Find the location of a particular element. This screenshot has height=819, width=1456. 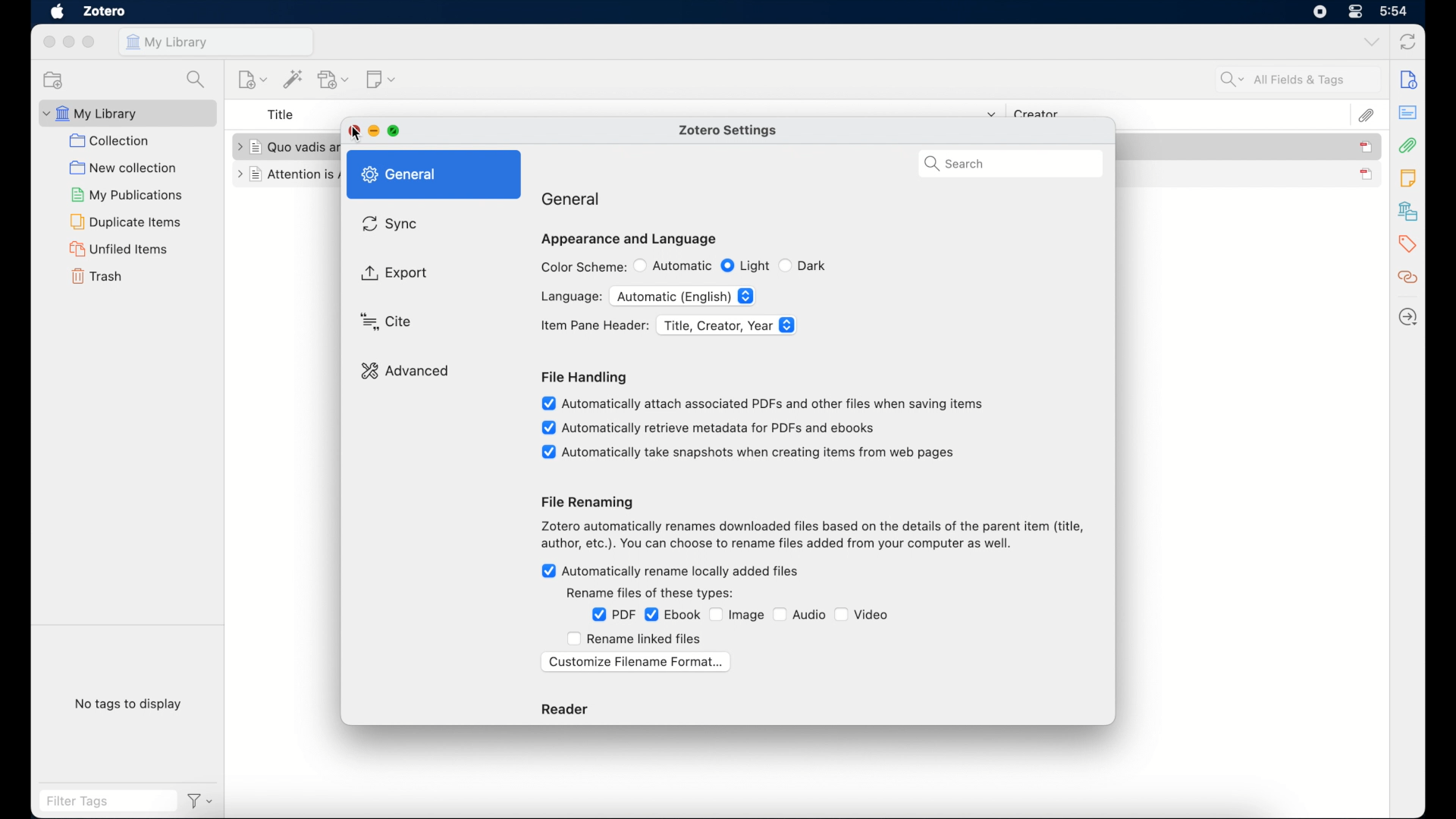

control center is located at coordinates (1356, 12).